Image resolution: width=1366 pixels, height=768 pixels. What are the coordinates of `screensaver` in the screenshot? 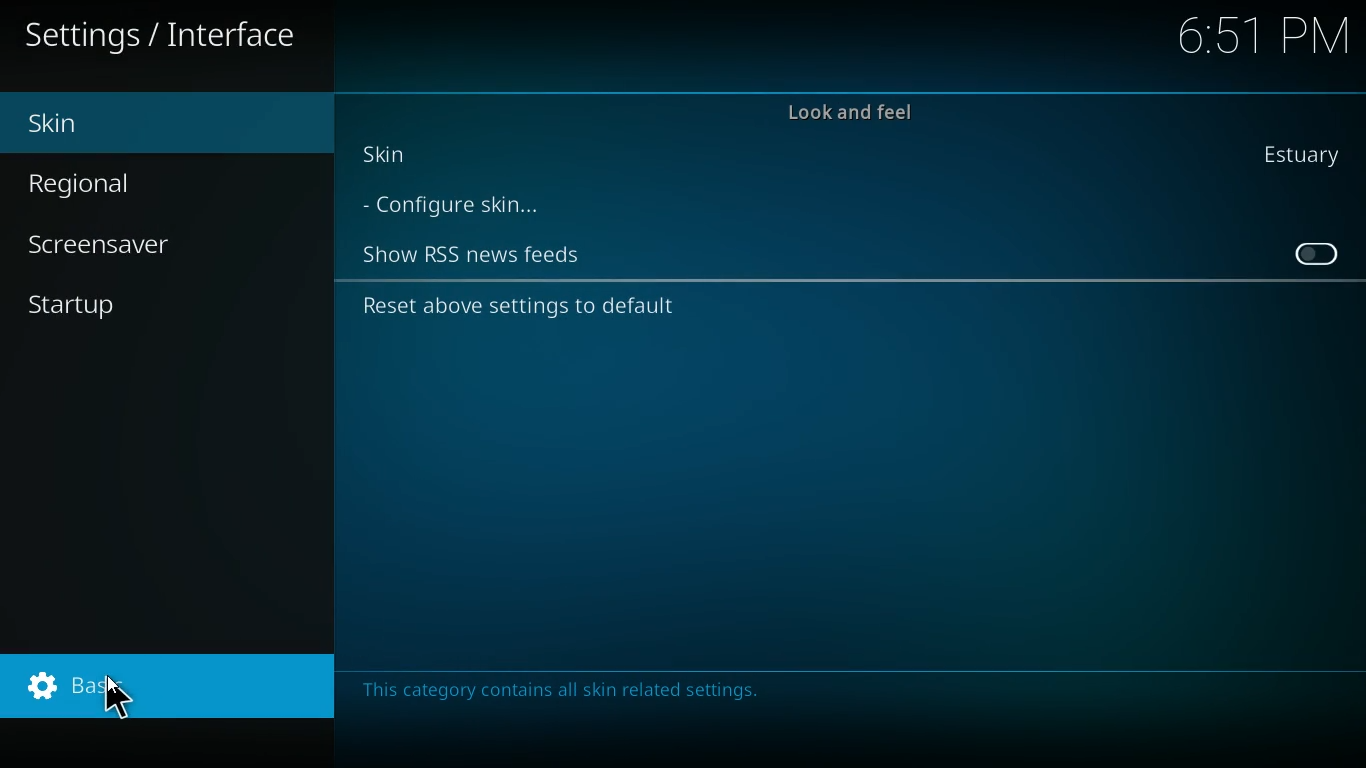 It's located at (128, 249).